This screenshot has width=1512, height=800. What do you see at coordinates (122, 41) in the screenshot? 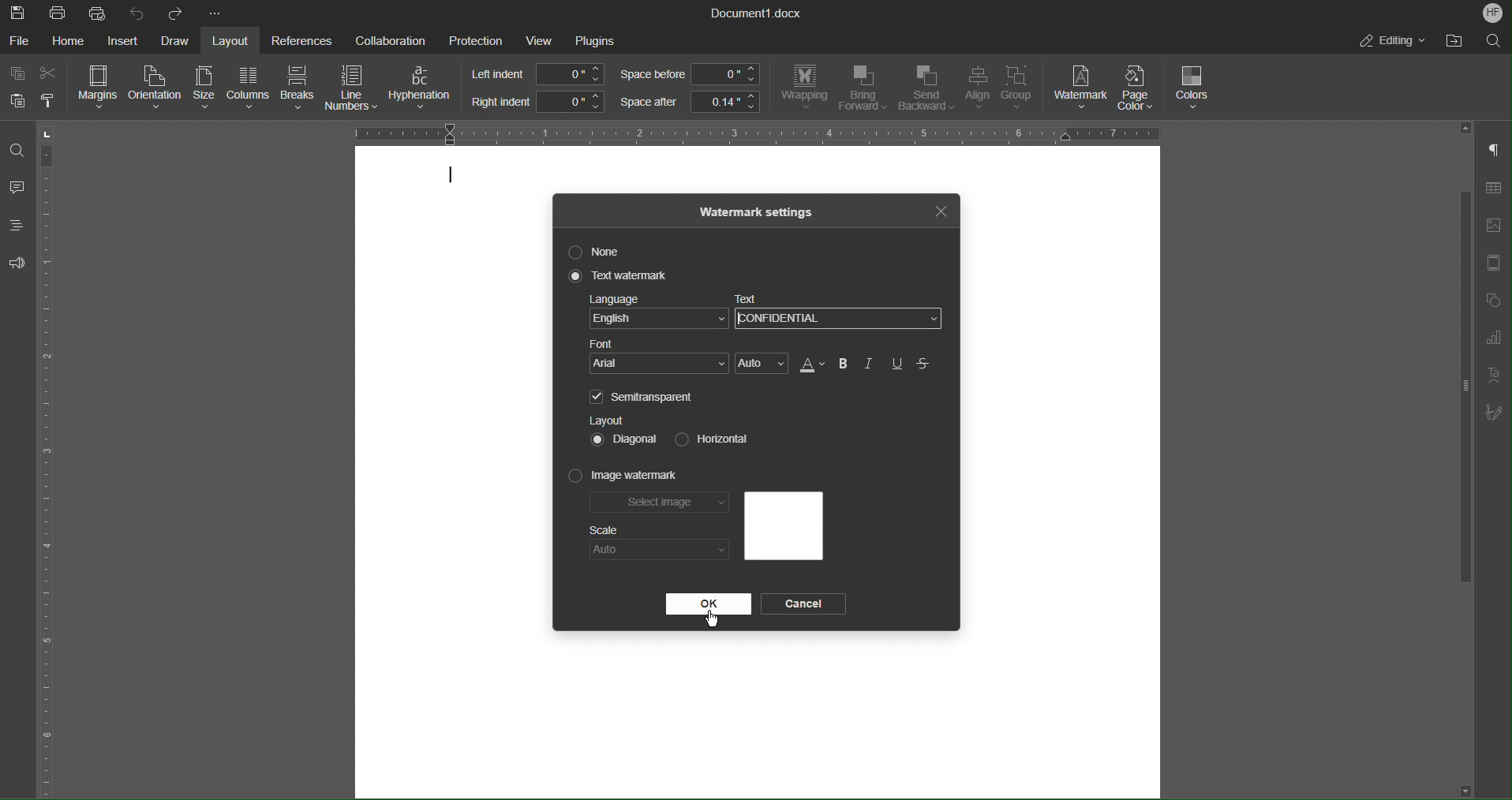
I see `Insert` at bounding box center [122, 41].